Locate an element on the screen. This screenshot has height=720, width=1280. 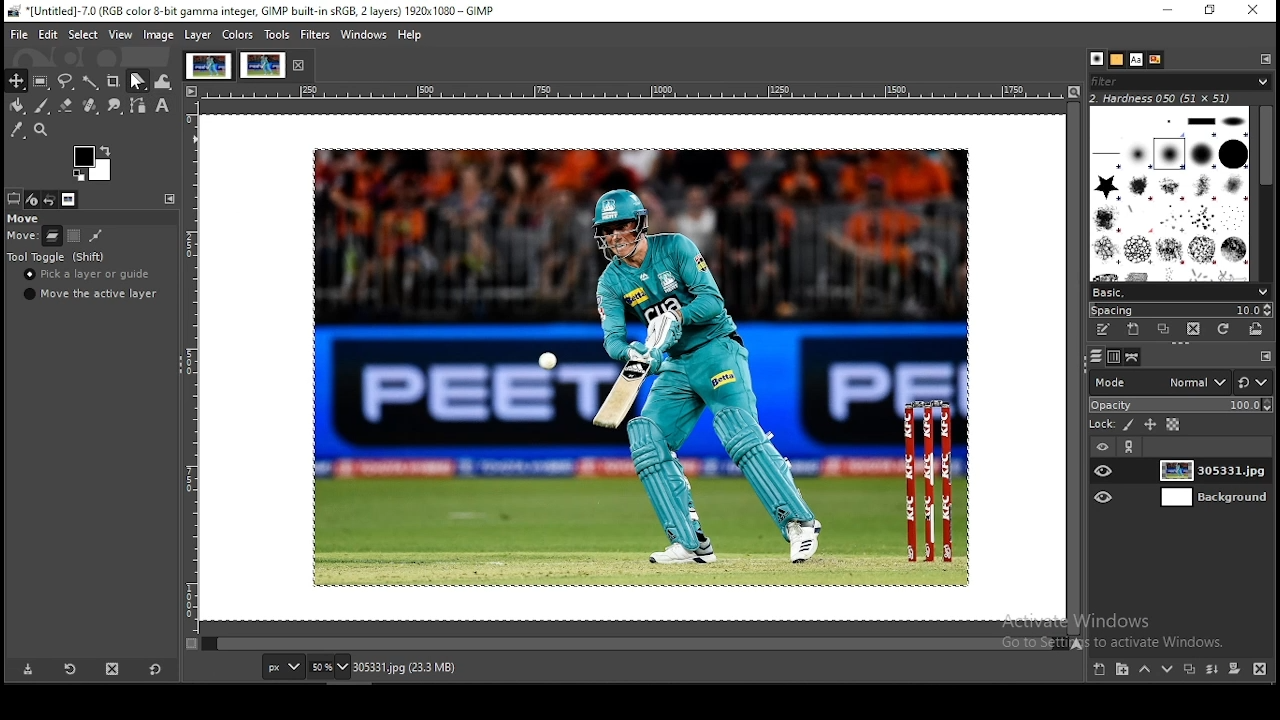
merge layers is located at coordinates (1211, 670).